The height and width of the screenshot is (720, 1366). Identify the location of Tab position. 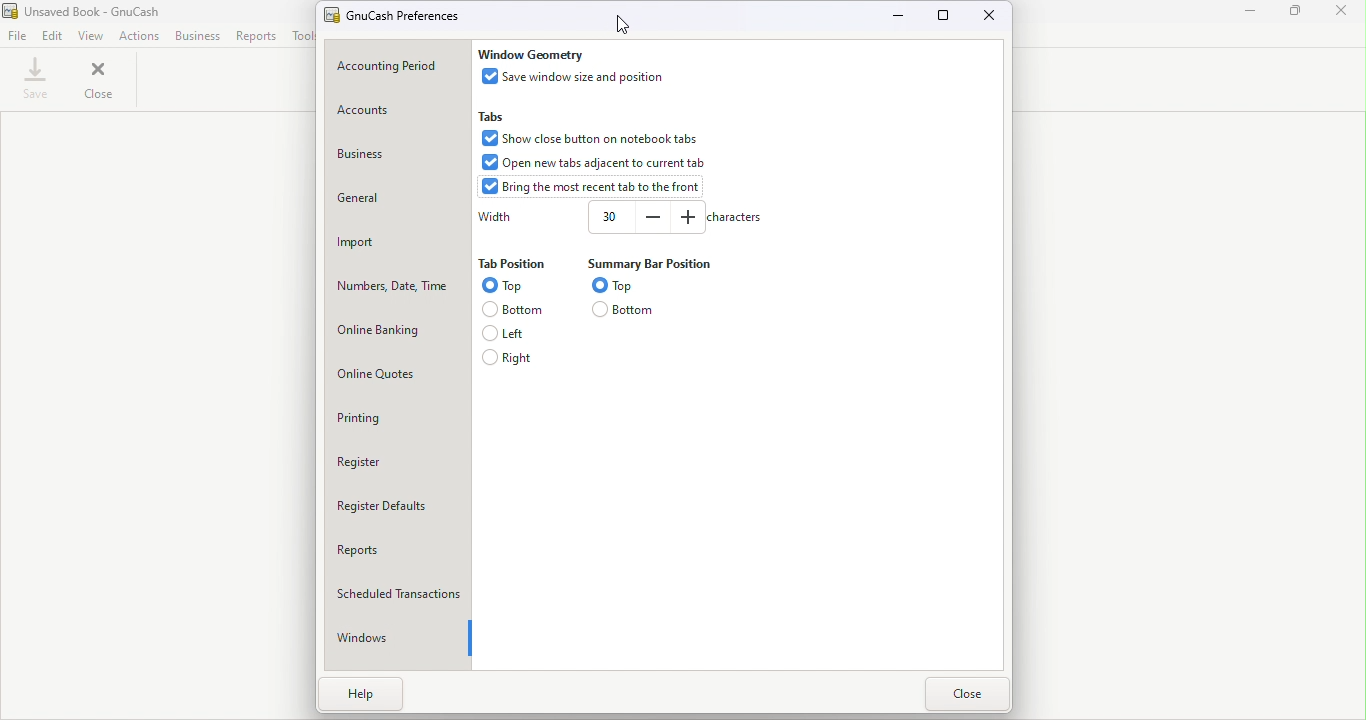
(511, 265).